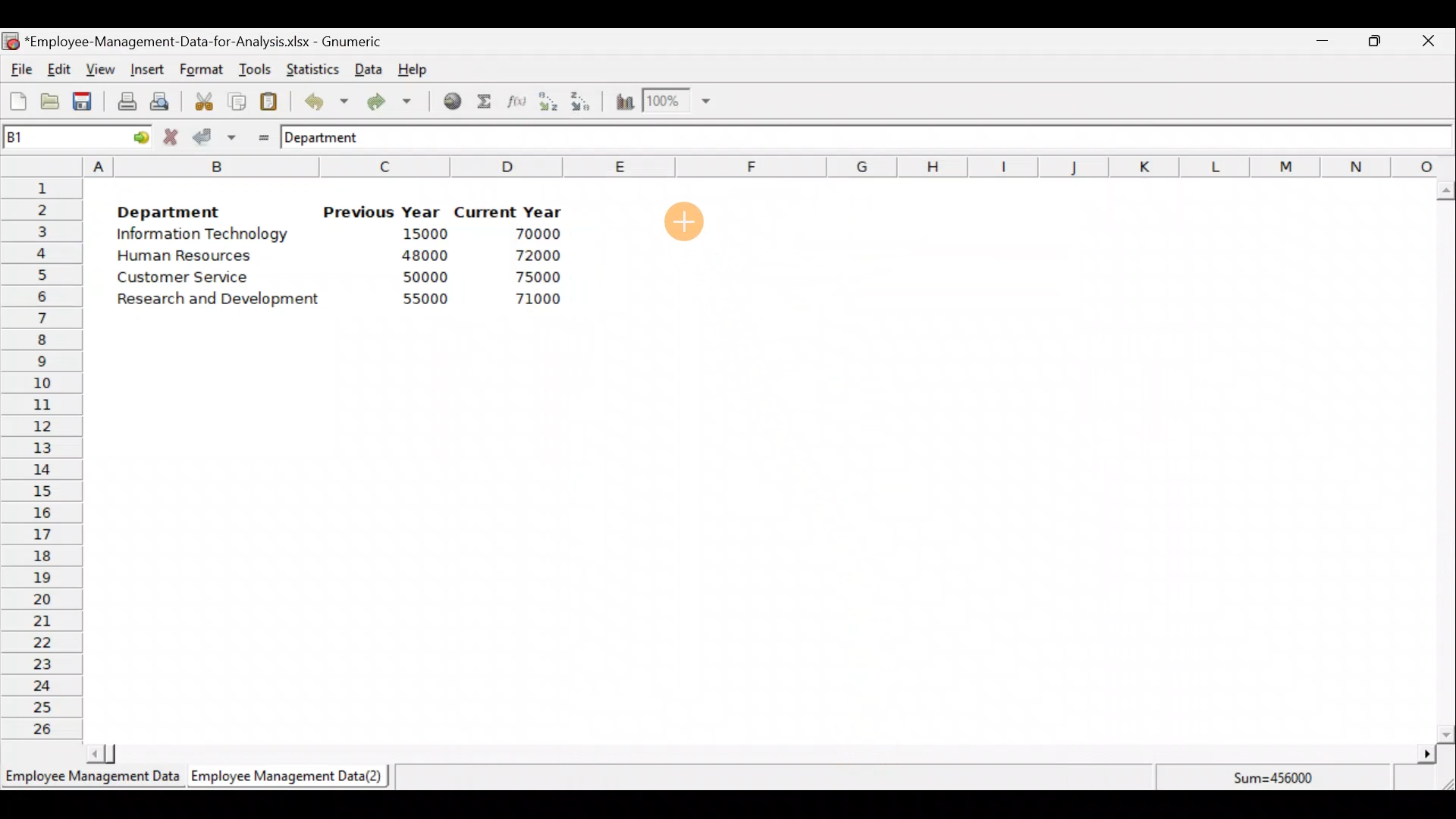  I want to click on Sum=456000, so click(1282, 780).